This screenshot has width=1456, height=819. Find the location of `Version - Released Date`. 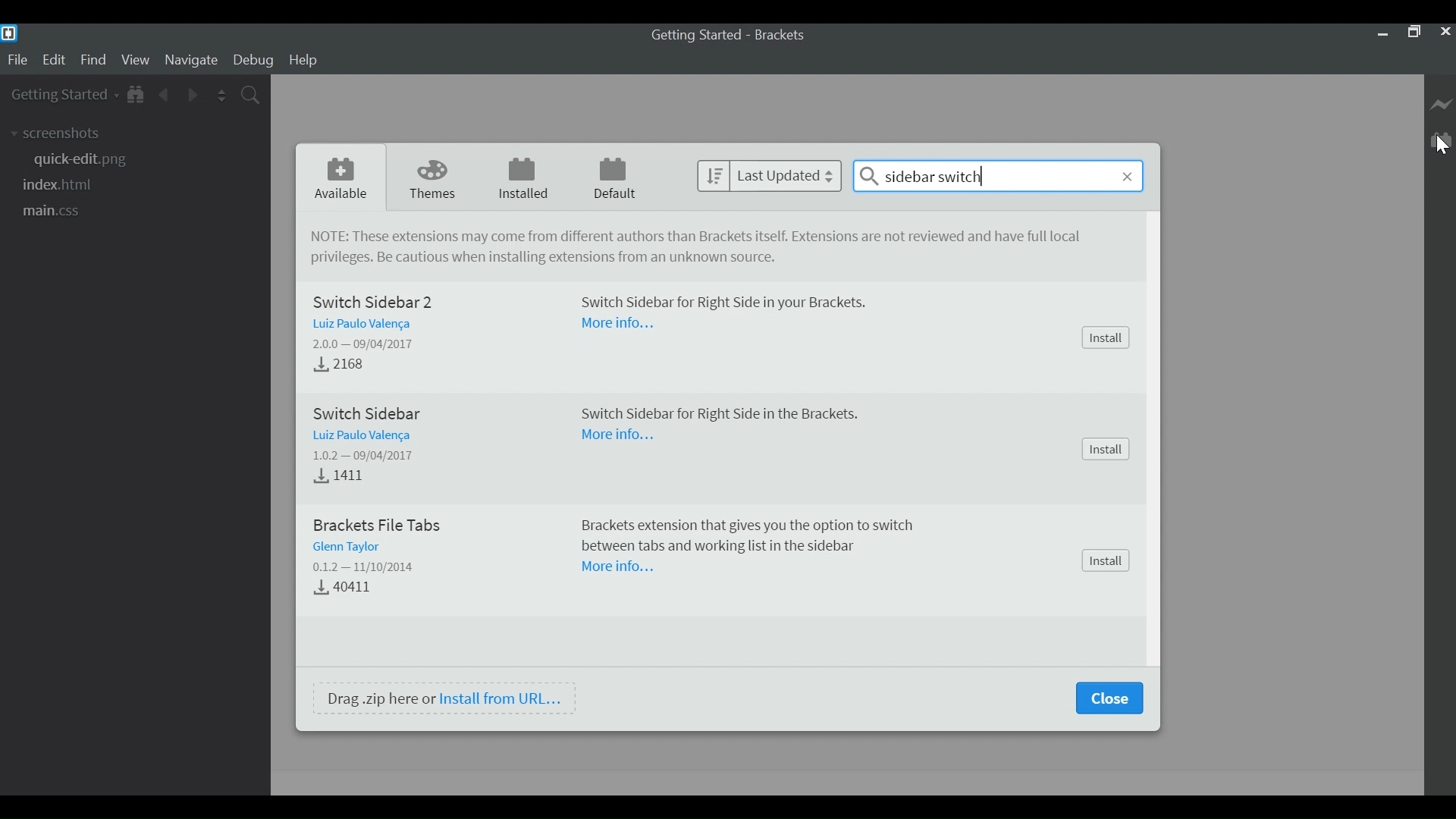

Version - Released Date is located at coordinates (372, 344).